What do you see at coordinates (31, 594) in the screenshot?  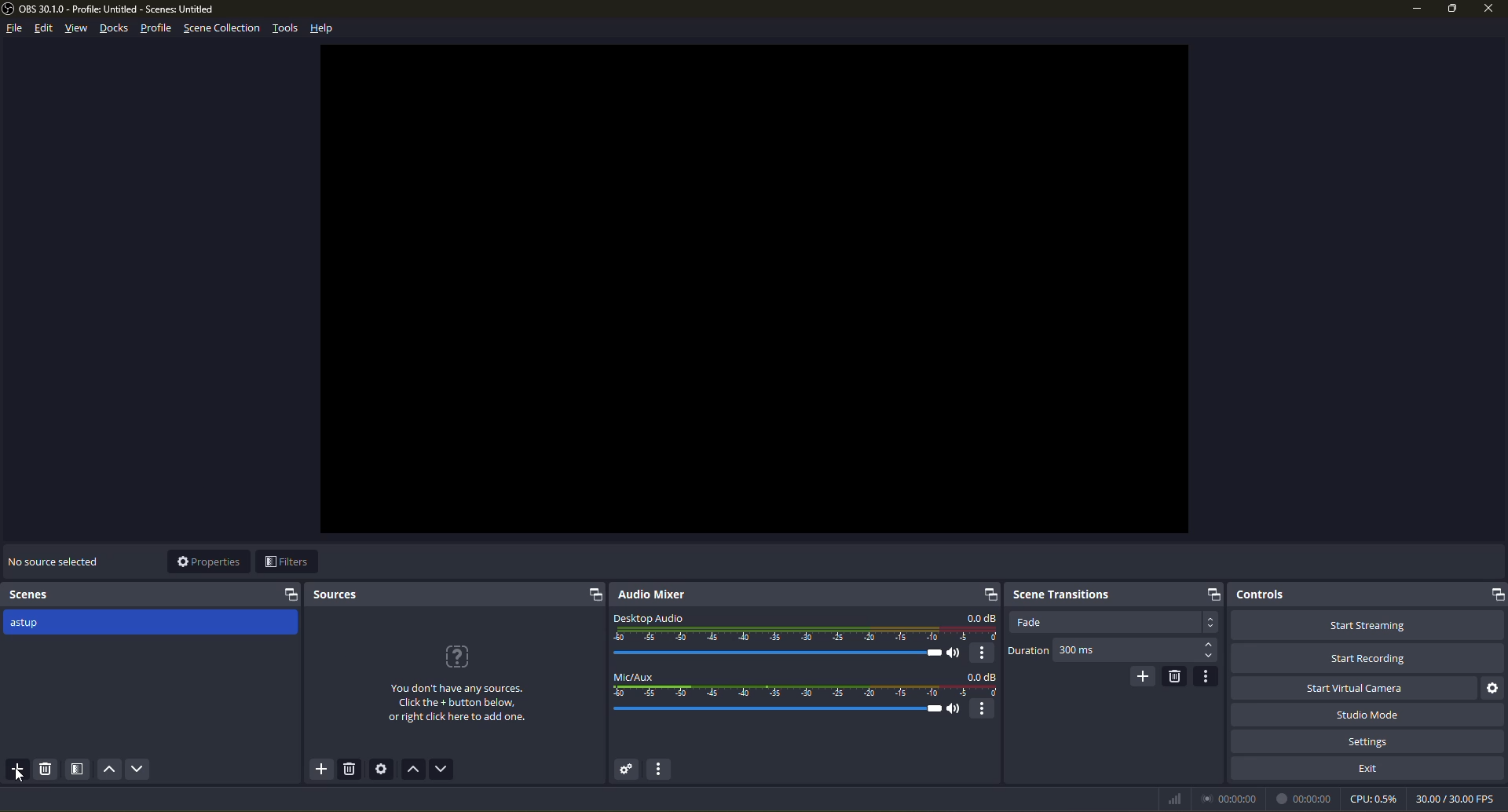 I see `scenes` at bounding box center [31, 594].